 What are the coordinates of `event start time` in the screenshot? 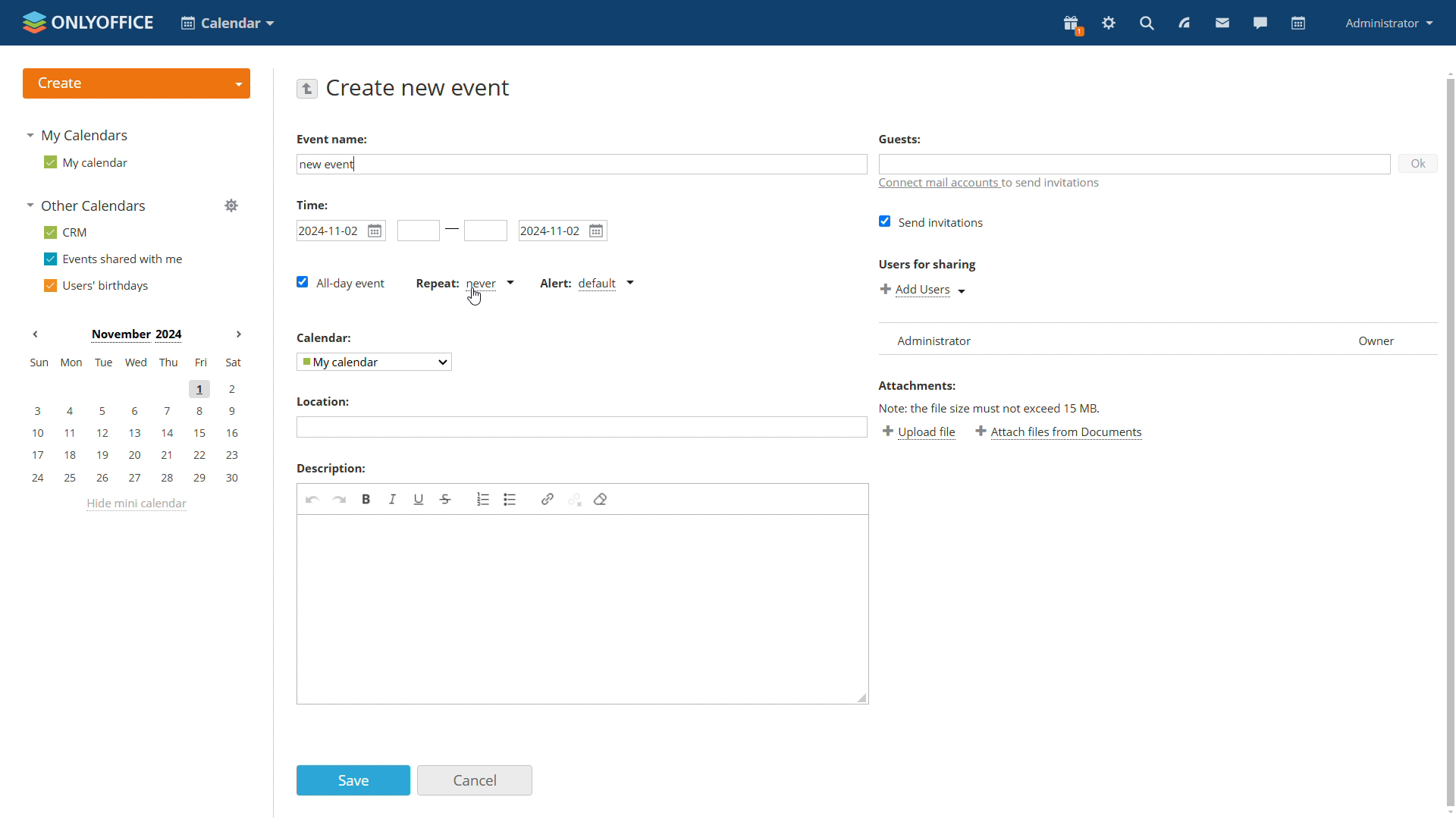 It's located at (416, 230).